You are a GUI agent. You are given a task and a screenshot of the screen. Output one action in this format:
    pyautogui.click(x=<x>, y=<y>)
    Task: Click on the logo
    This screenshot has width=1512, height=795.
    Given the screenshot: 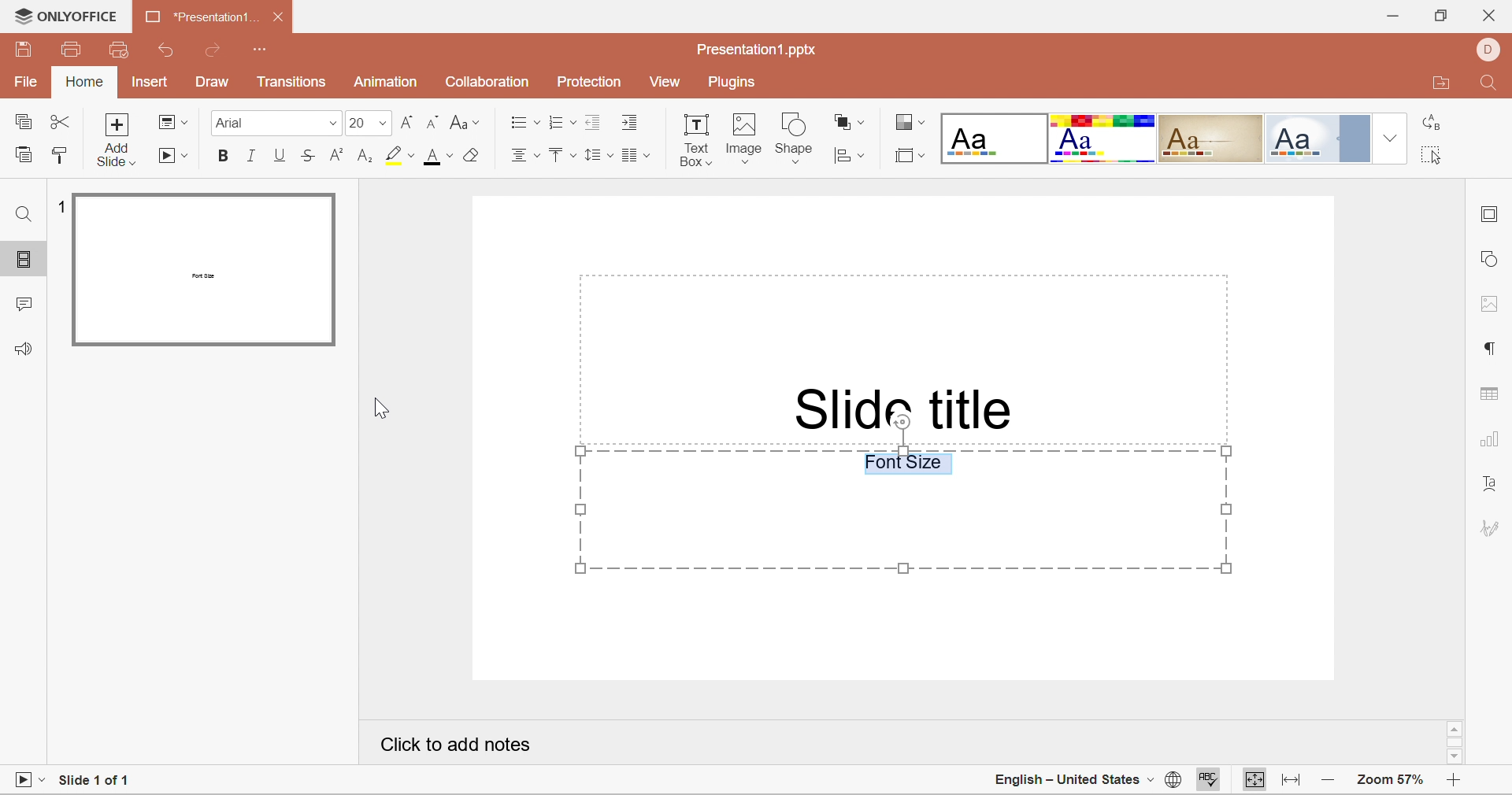 What is the action you would take?
    pyautogui.click(x=18, y=15)
    